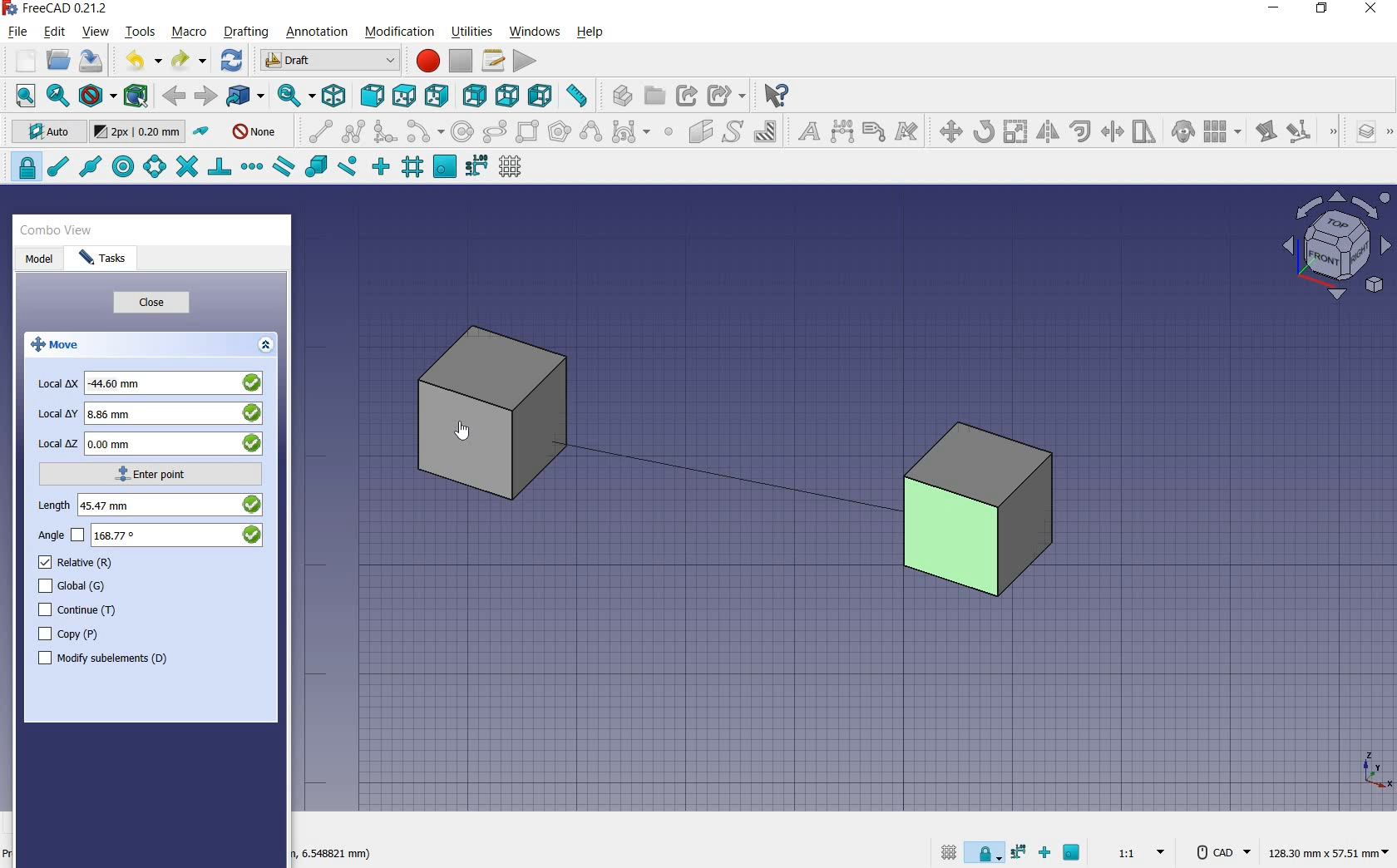 The height and width of the screenshot is (868, 1397). Describe the element at coordinates (71, 586) in the screenshot. I see `global` at that location.